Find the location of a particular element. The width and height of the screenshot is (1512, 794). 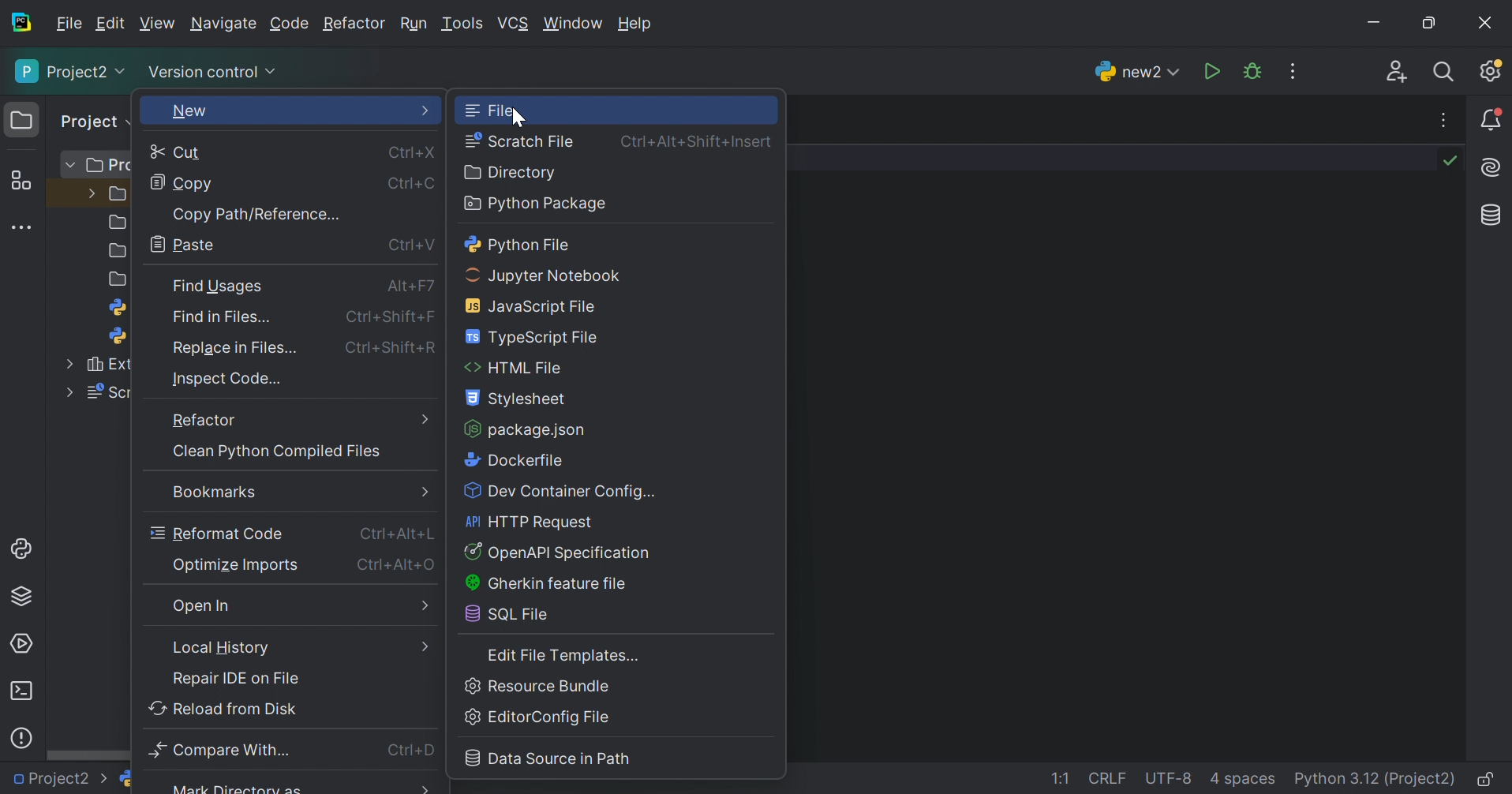

Notifications is located at coordinates (1492, 119).